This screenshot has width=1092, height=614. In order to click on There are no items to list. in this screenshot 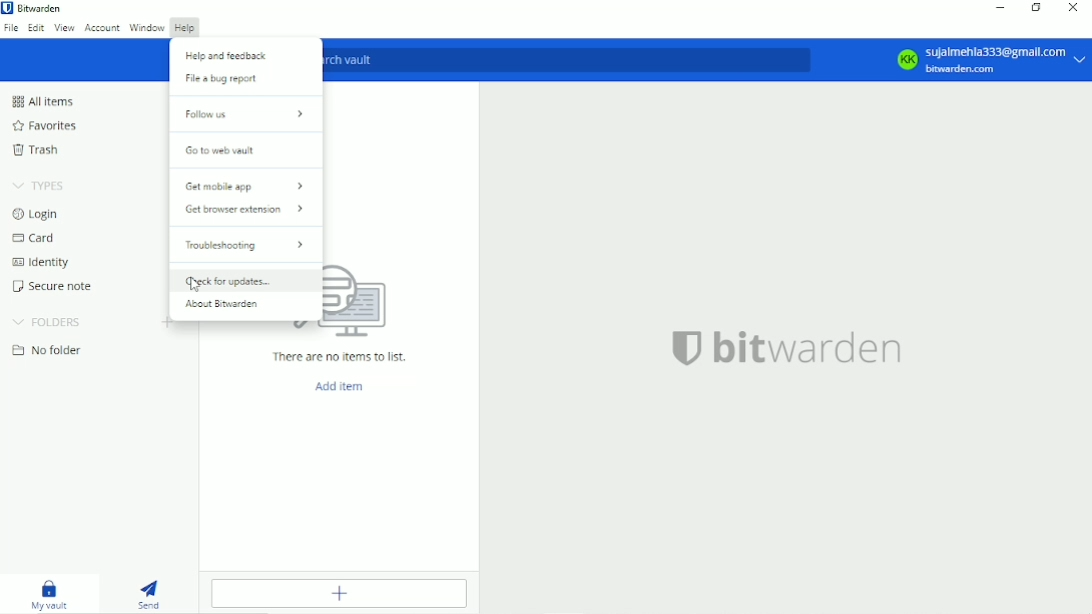, I will do `click(341, 357)`.